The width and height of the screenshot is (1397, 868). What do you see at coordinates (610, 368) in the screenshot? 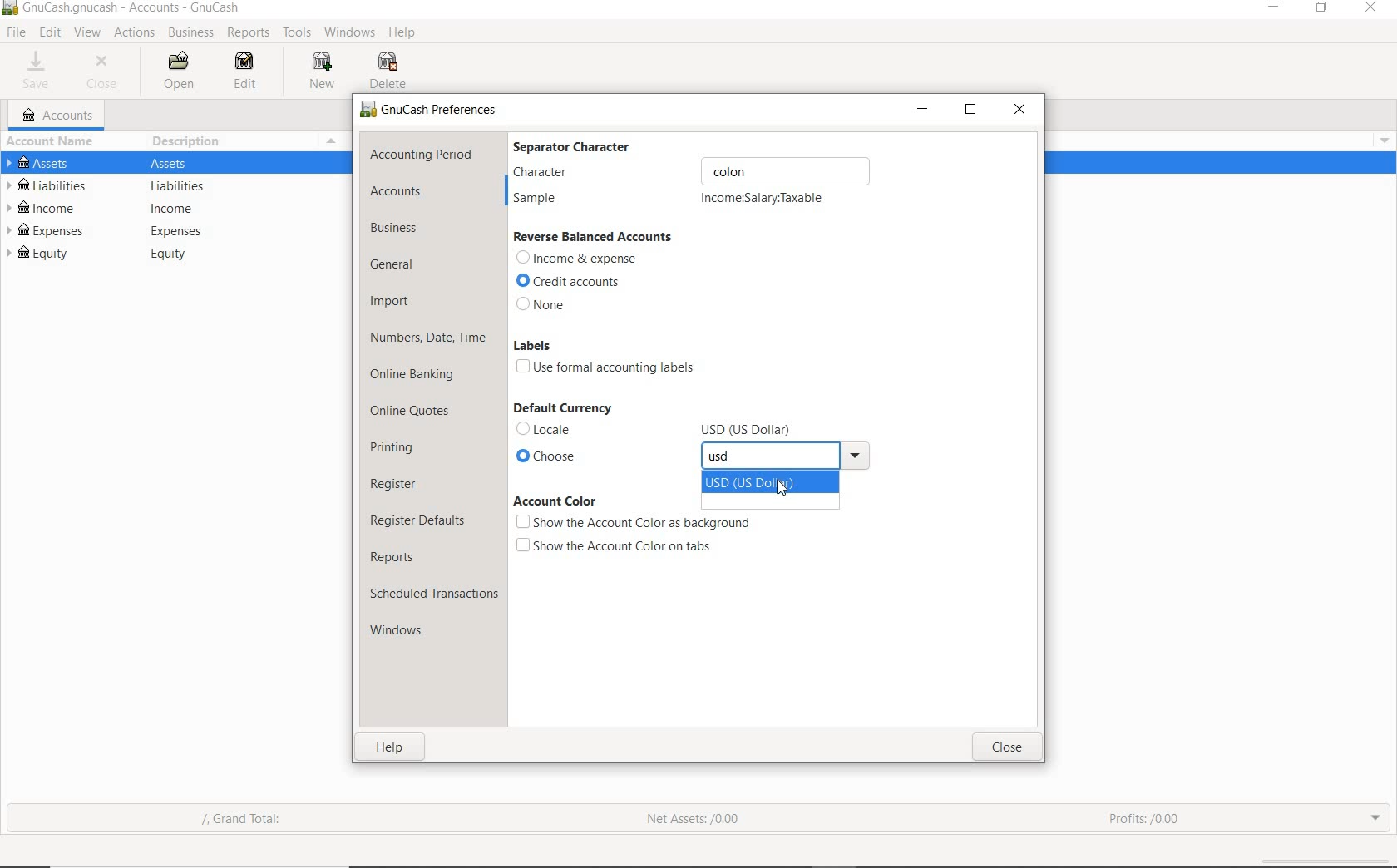
I see `use formal accounting labels` at bounding box center [610, 368].